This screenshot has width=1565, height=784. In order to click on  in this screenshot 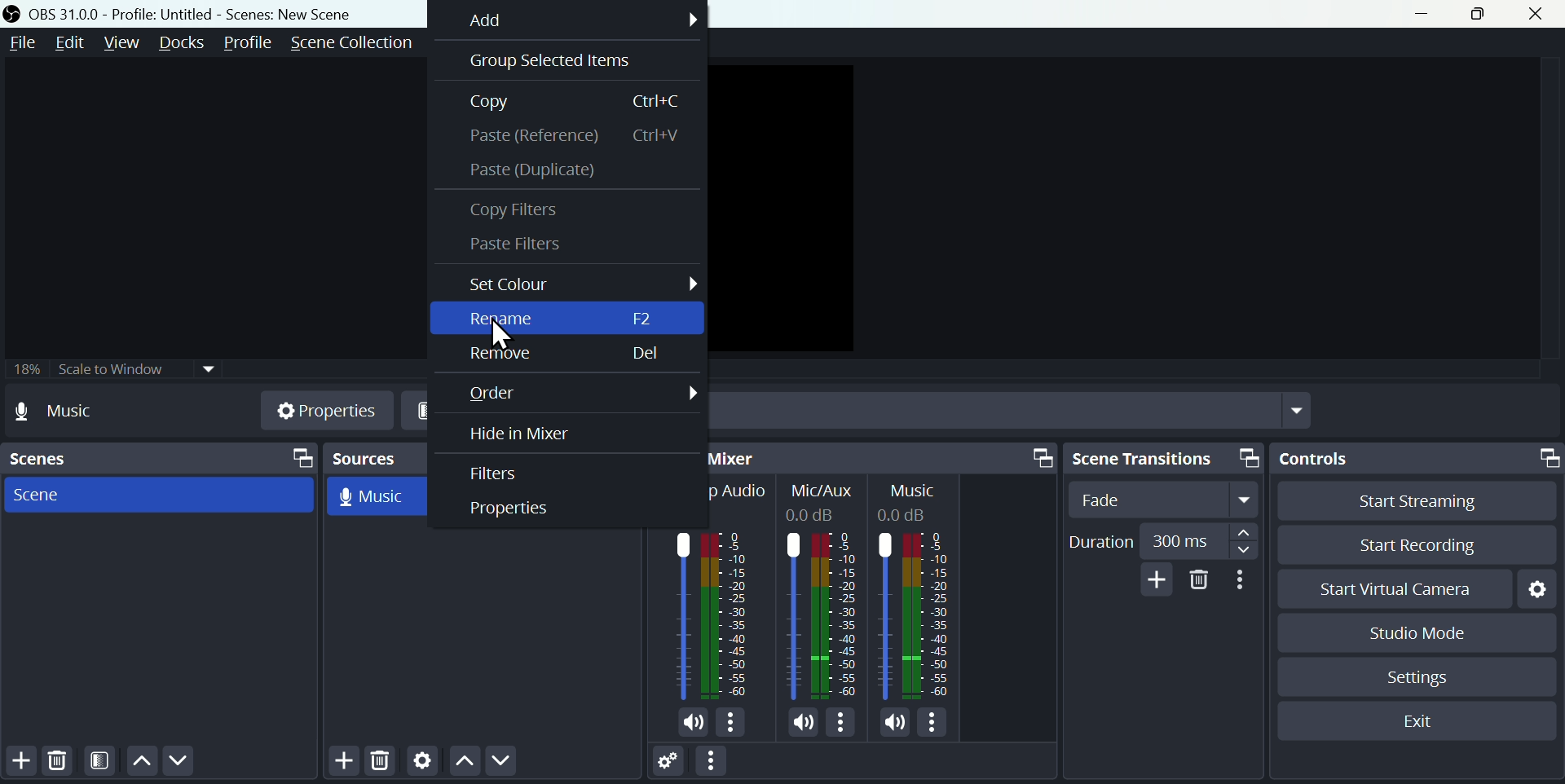, I will do `click(818, 514)`.